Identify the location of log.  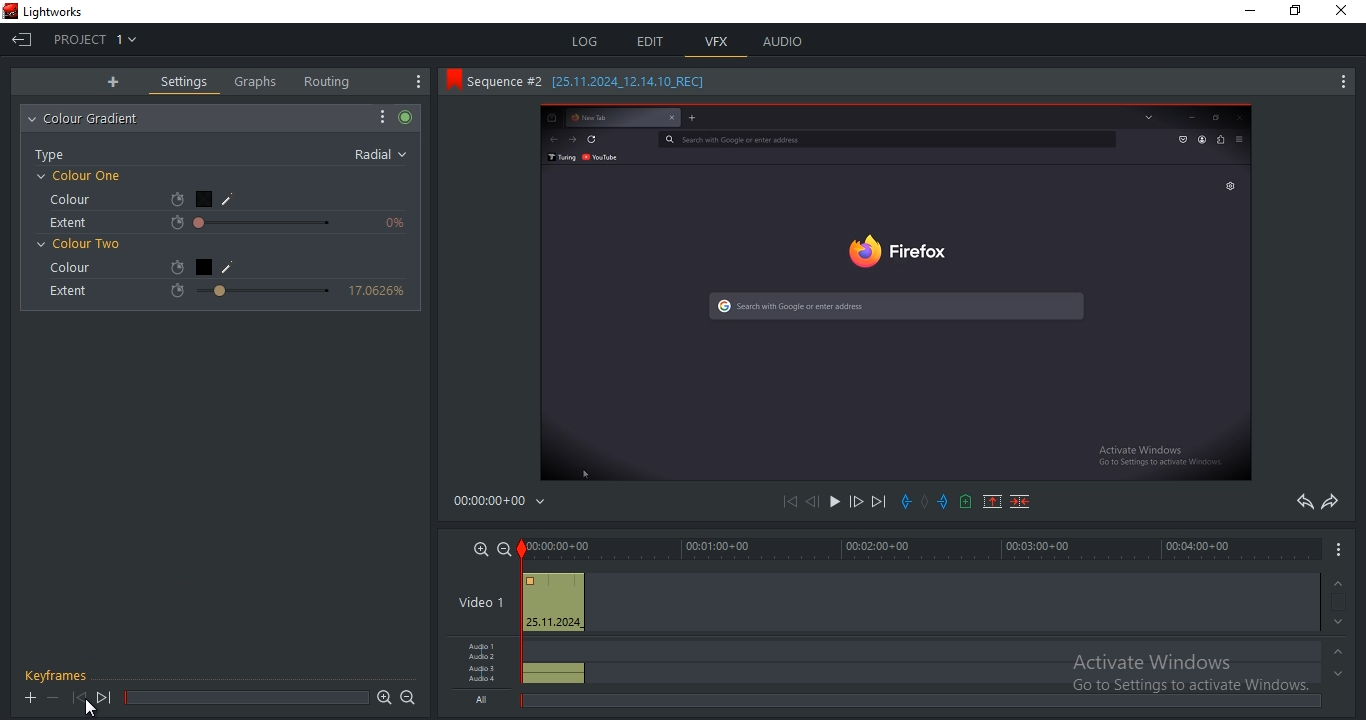
(585, 43).